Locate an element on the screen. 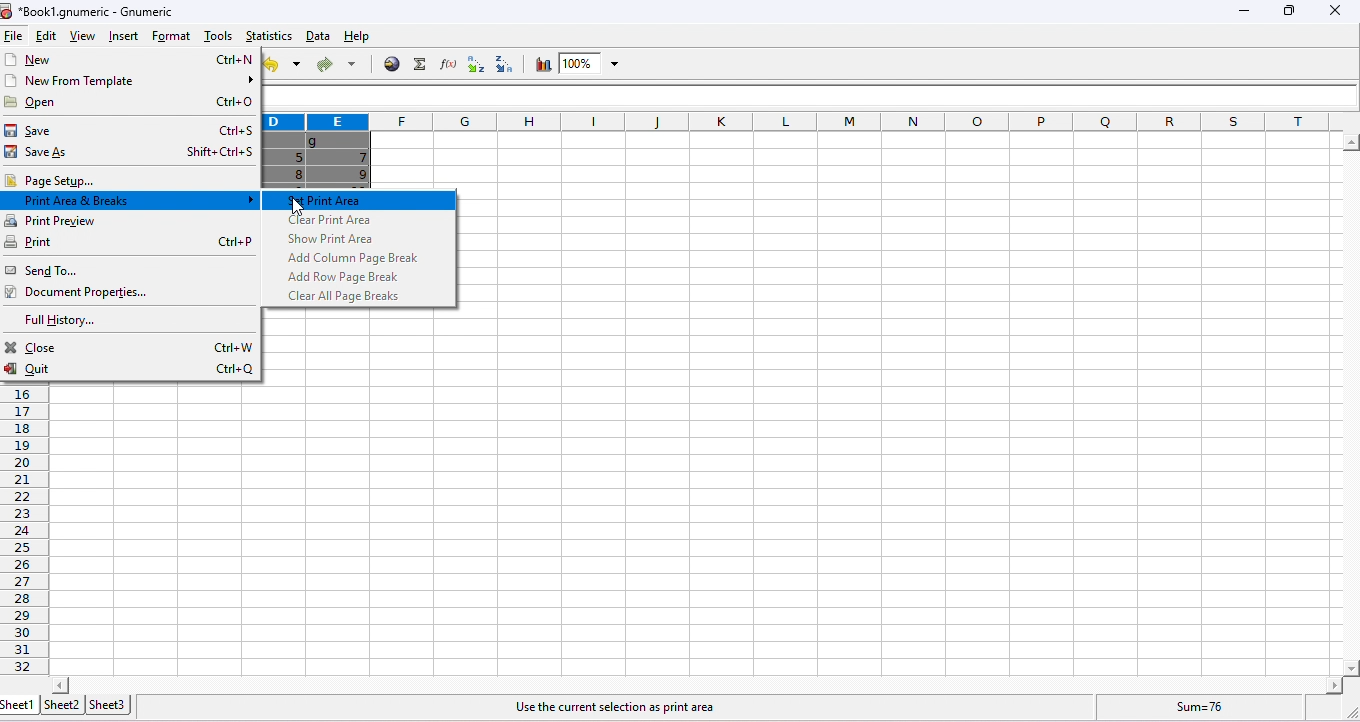  data is located at coordinates (318, 36).